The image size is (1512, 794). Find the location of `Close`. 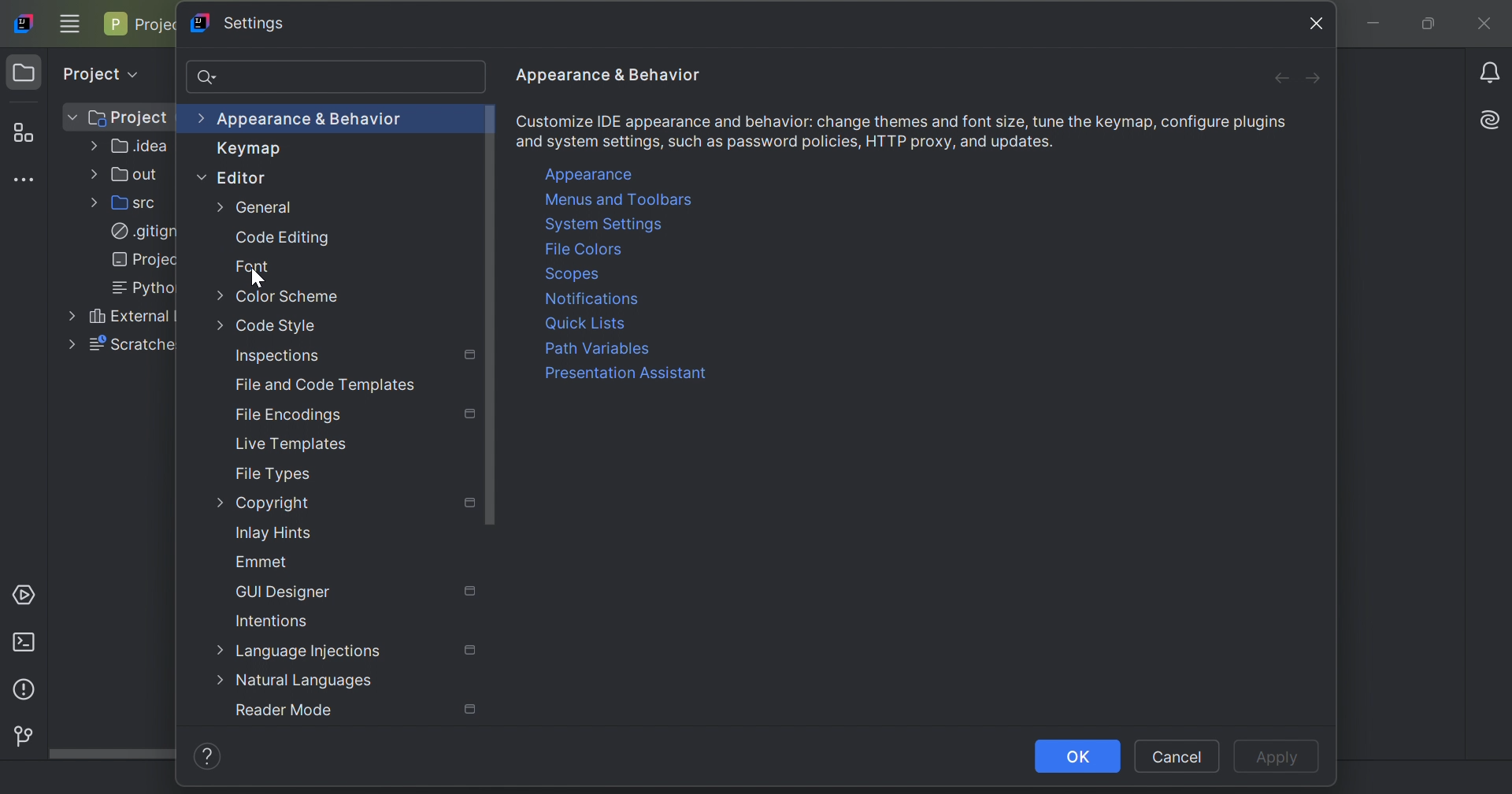

Close is located at coordinates (1488, 25).